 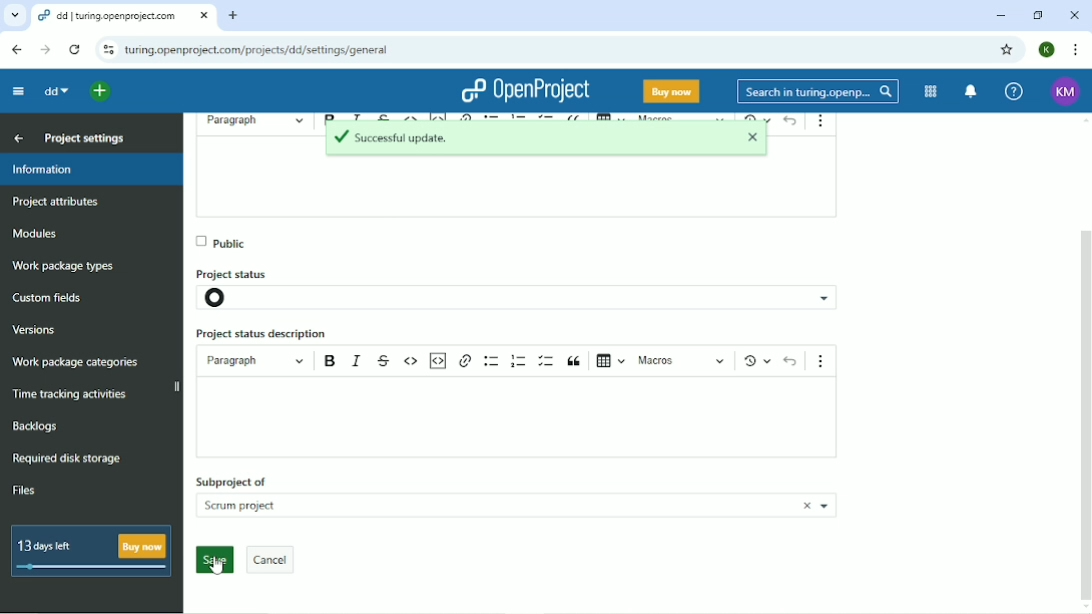 What do you see at coordinates (548, 358) in the screenshot?
I see `to do lisr` at bounding box center [548, 358].